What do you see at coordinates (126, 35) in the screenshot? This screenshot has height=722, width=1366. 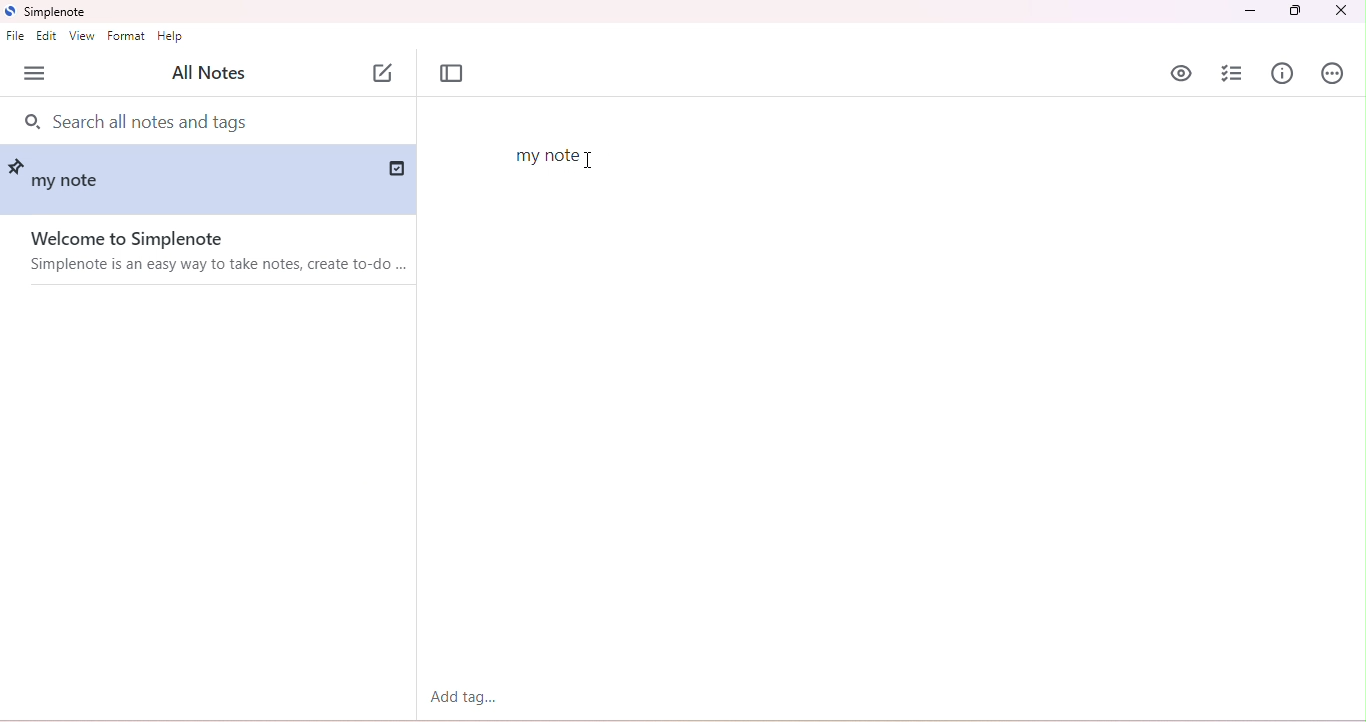 I see `format` at bounding box center [126, 35].